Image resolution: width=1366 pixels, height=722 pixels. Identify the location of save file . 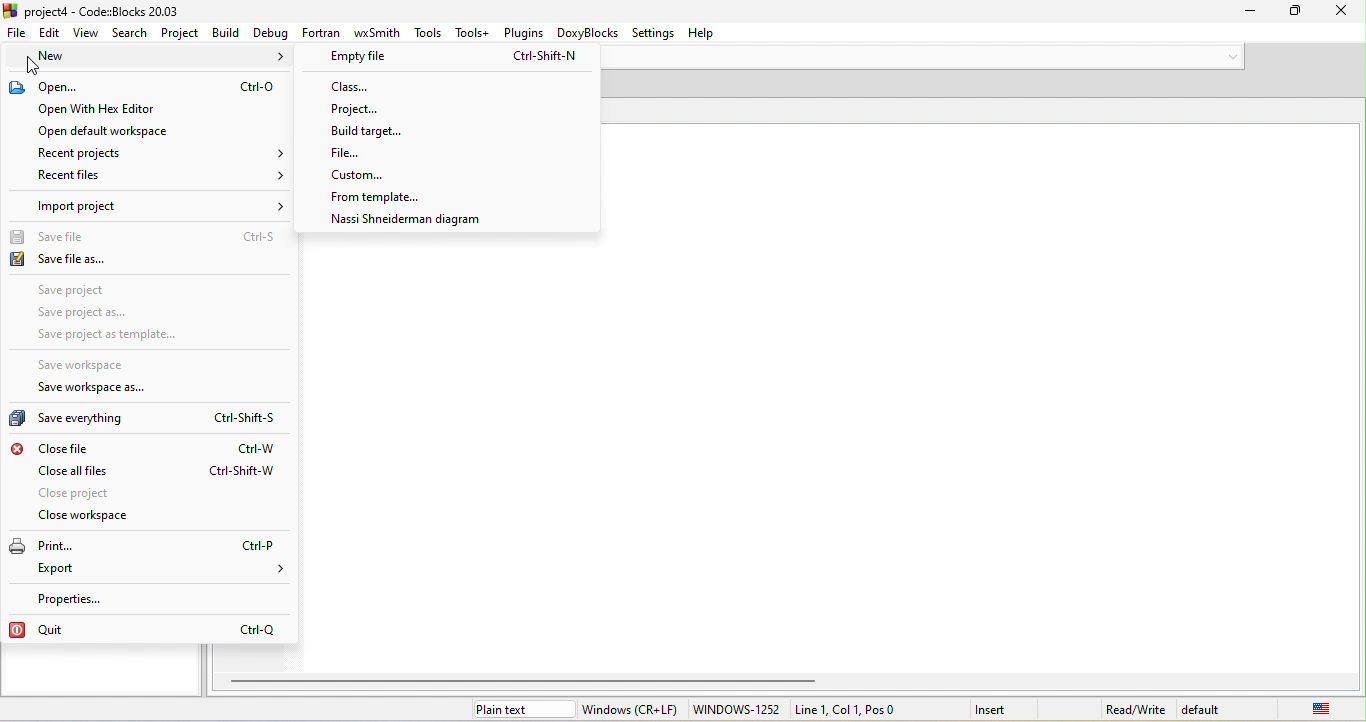
(152, 234).